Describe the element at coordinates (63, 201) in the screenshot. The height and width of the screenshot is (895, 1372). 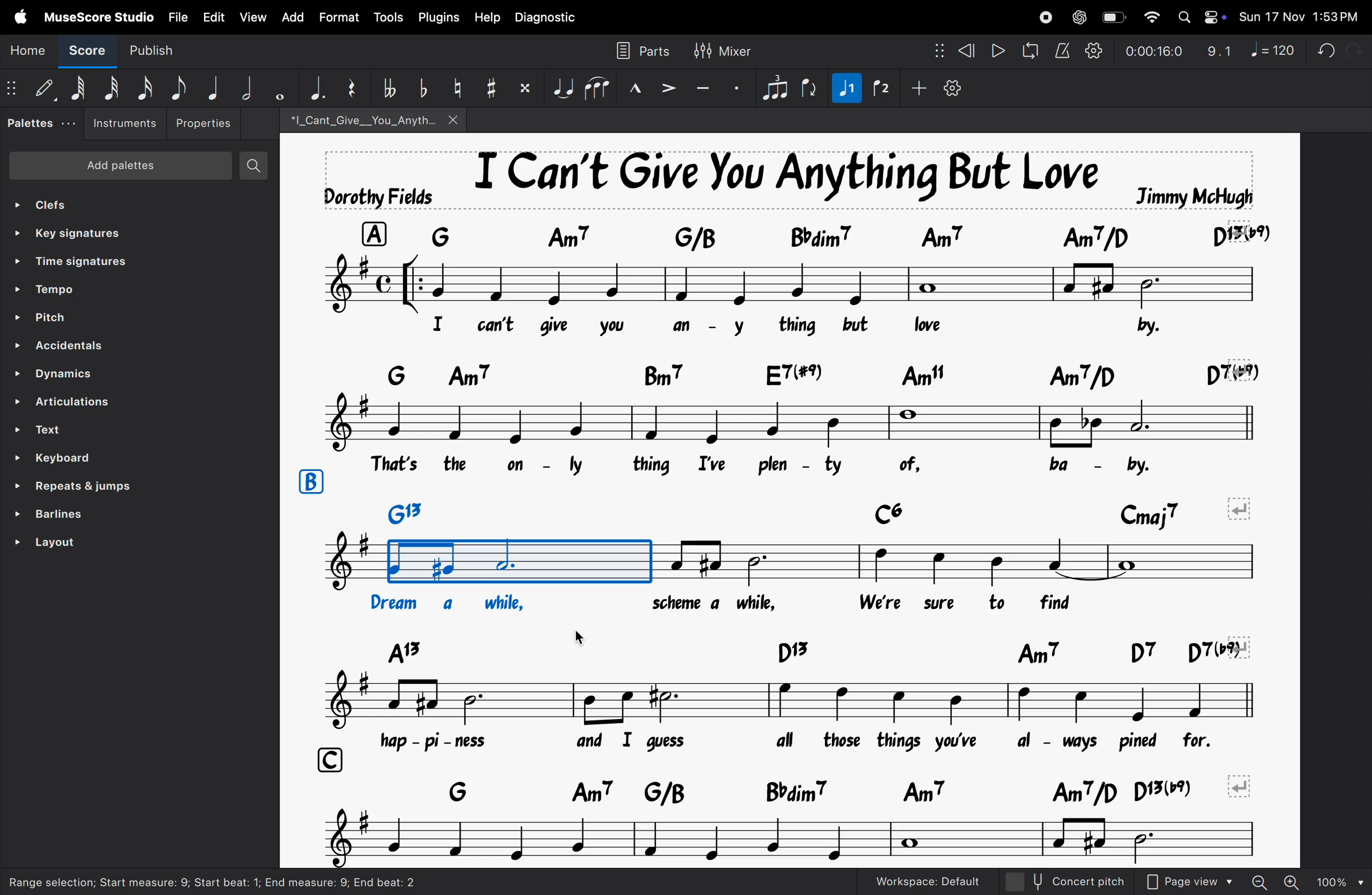
I see `clefs` at that location.